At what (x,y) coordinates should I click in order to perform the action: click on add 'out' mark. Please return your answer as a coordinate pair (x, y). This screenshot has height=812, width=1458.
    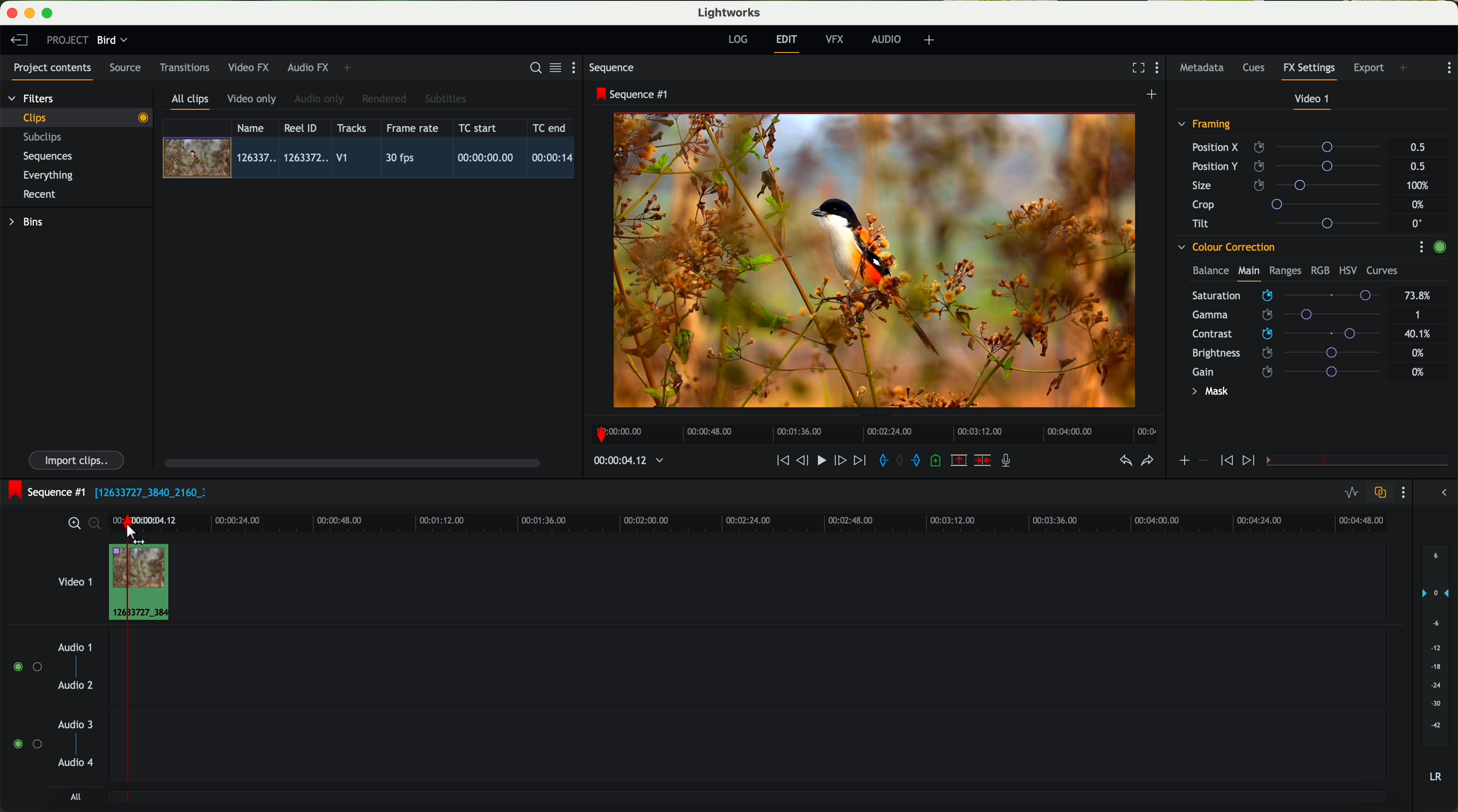
    Looking at the image, I should click on (921, 459).